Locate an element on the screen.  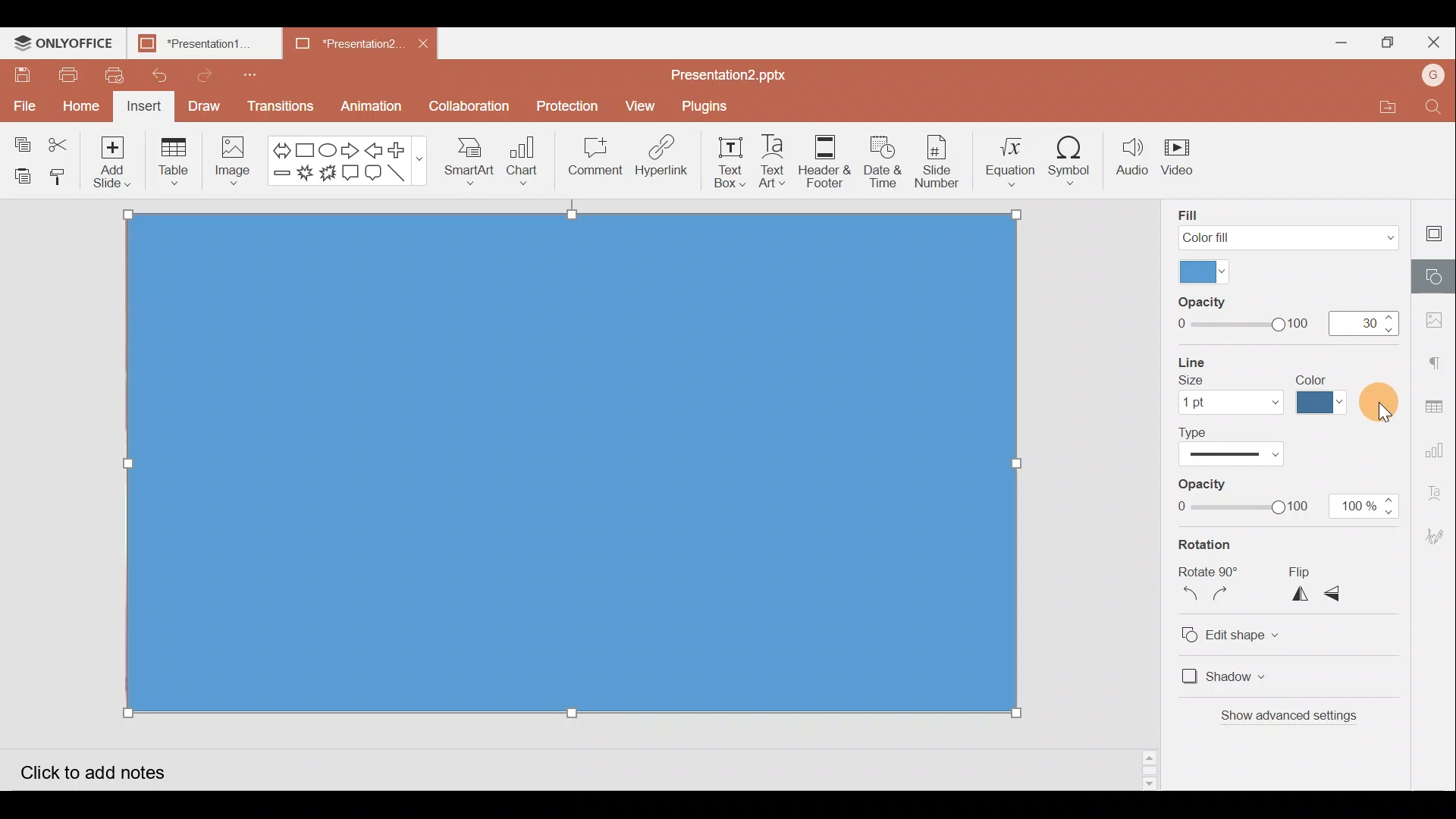
Left right arrow is located at coordinates (281, 146).